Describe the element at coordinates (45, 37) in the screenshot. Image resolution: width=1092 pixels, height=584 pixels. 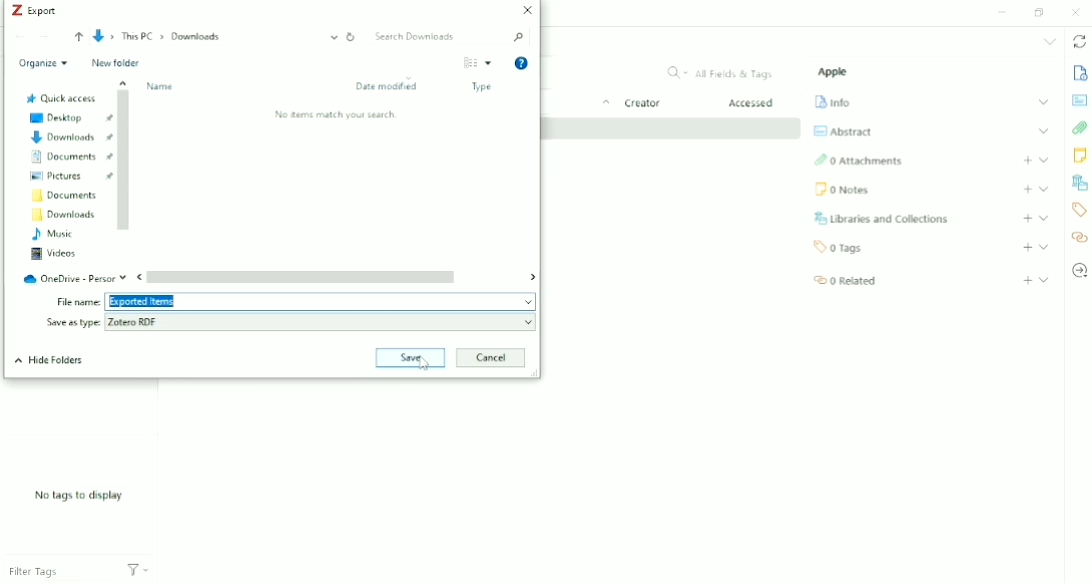
I see `Forward` at that location.